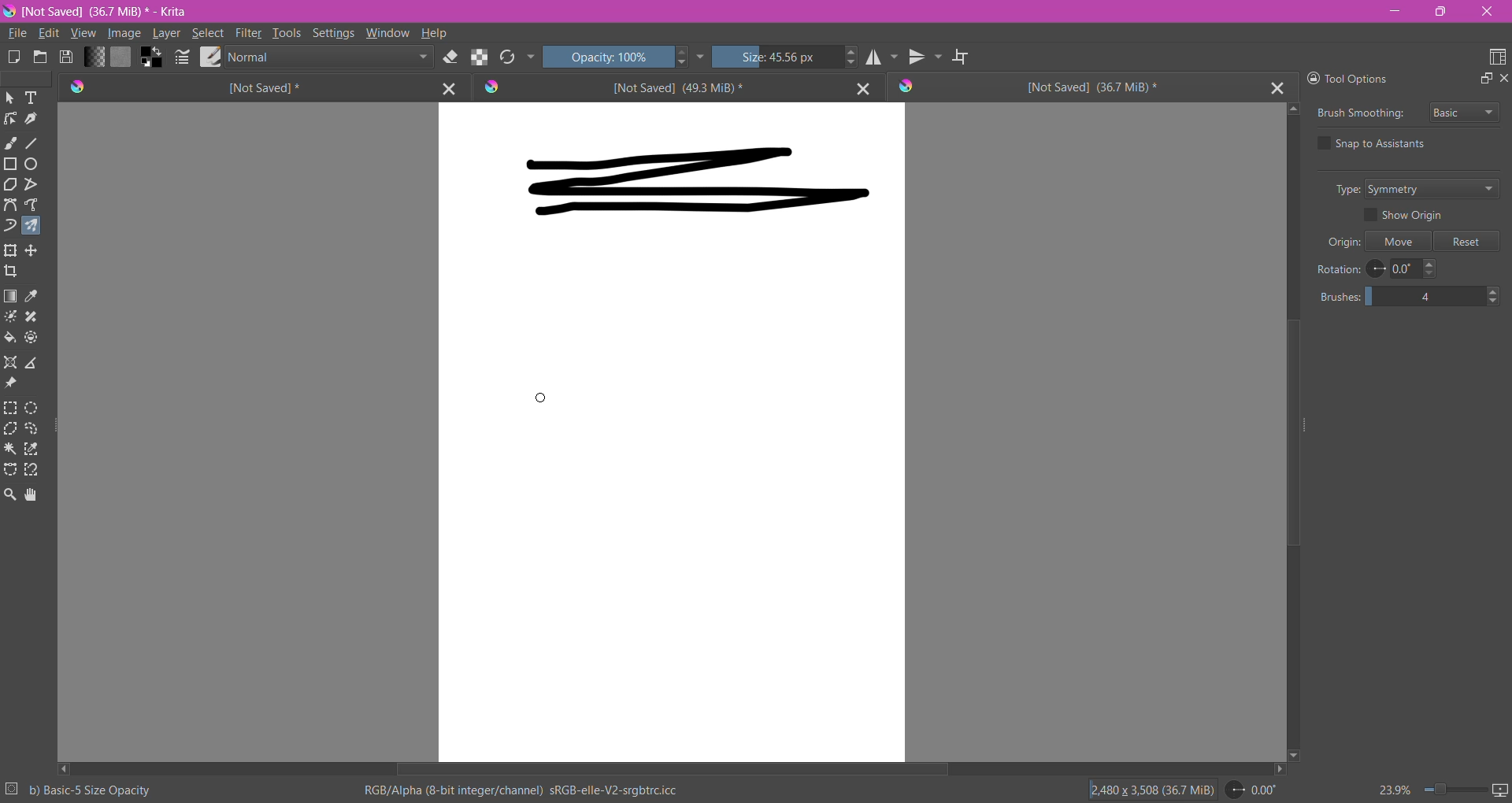  What do you see at coordinates (776, 57) in the screenshot?
I see `Set the Brush Size` at bounding box center [776, 57].